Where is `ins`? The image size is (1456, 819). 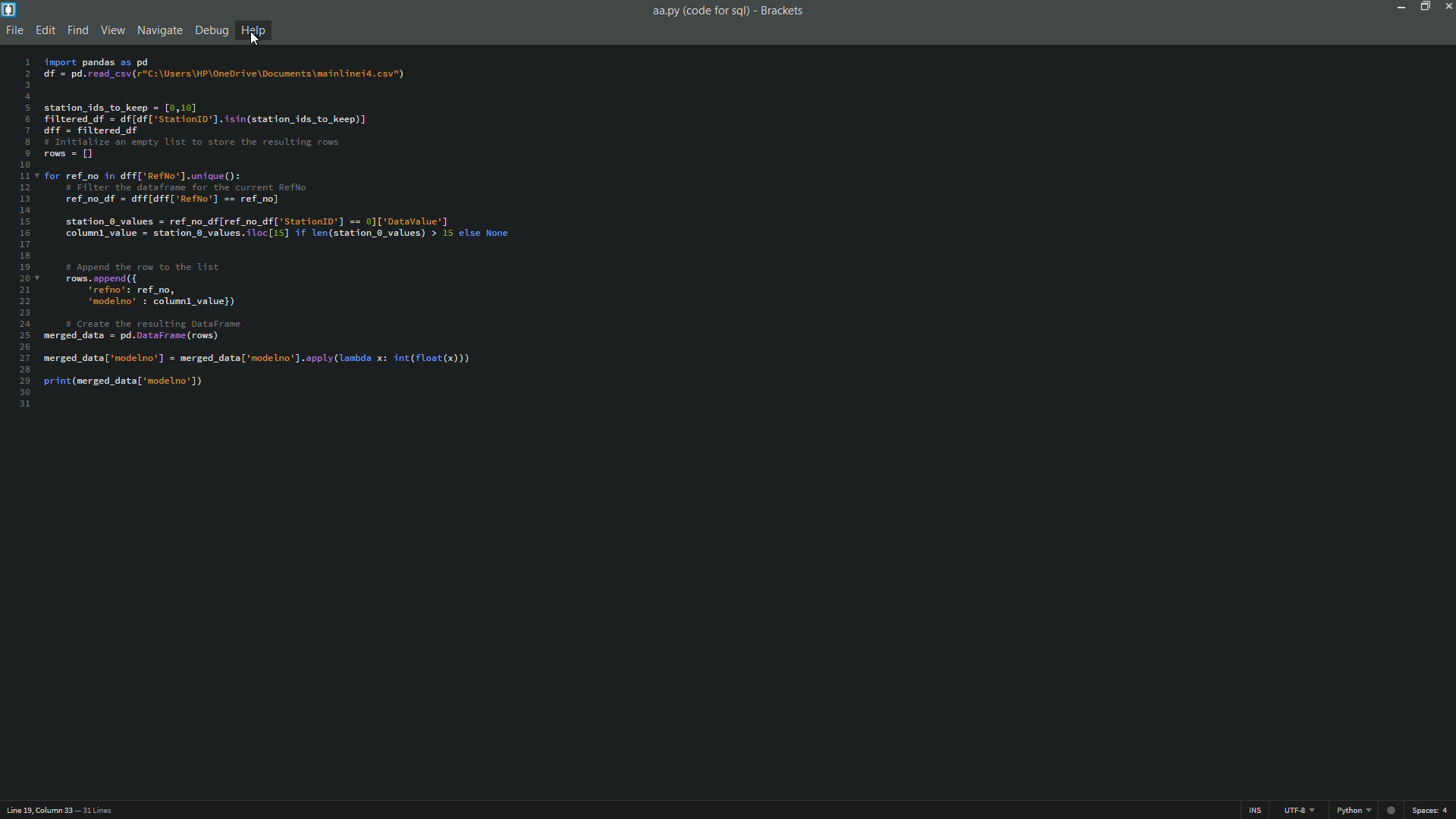 ins is located at coordinates (1254, 811).